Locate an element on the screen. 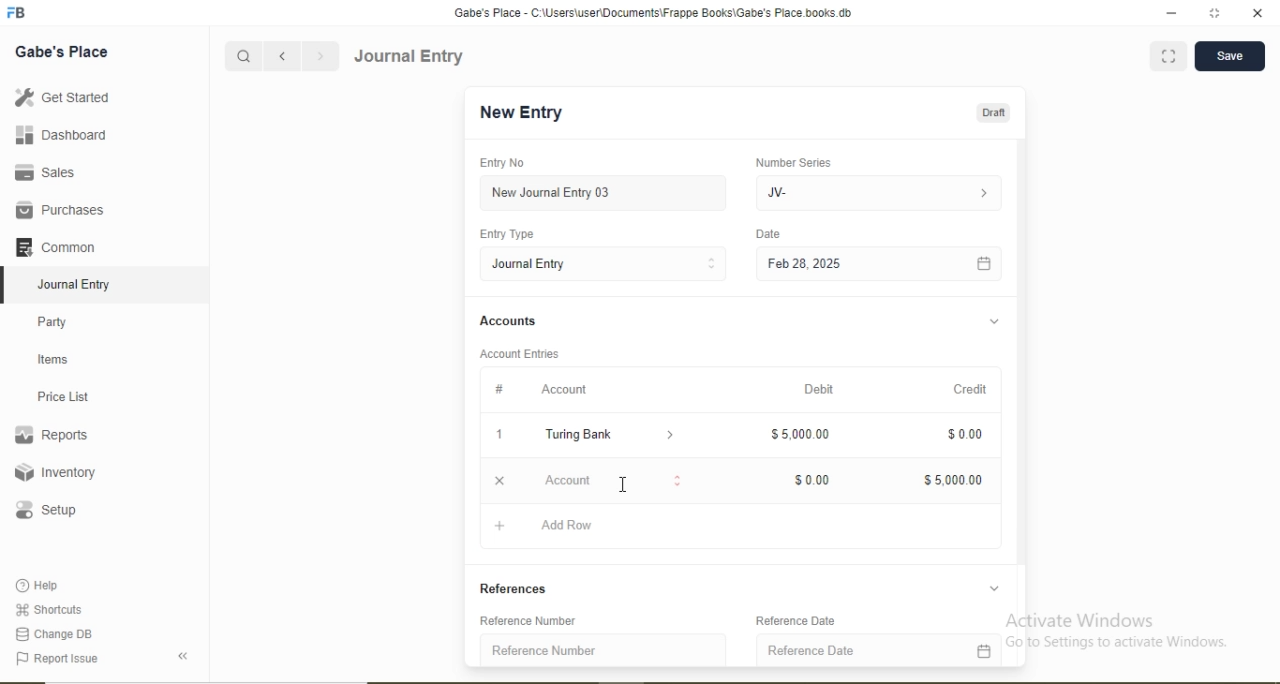 This screenshot has height=684, width=1280. Feb 28, 2025 is located at coordinates (804, 263).